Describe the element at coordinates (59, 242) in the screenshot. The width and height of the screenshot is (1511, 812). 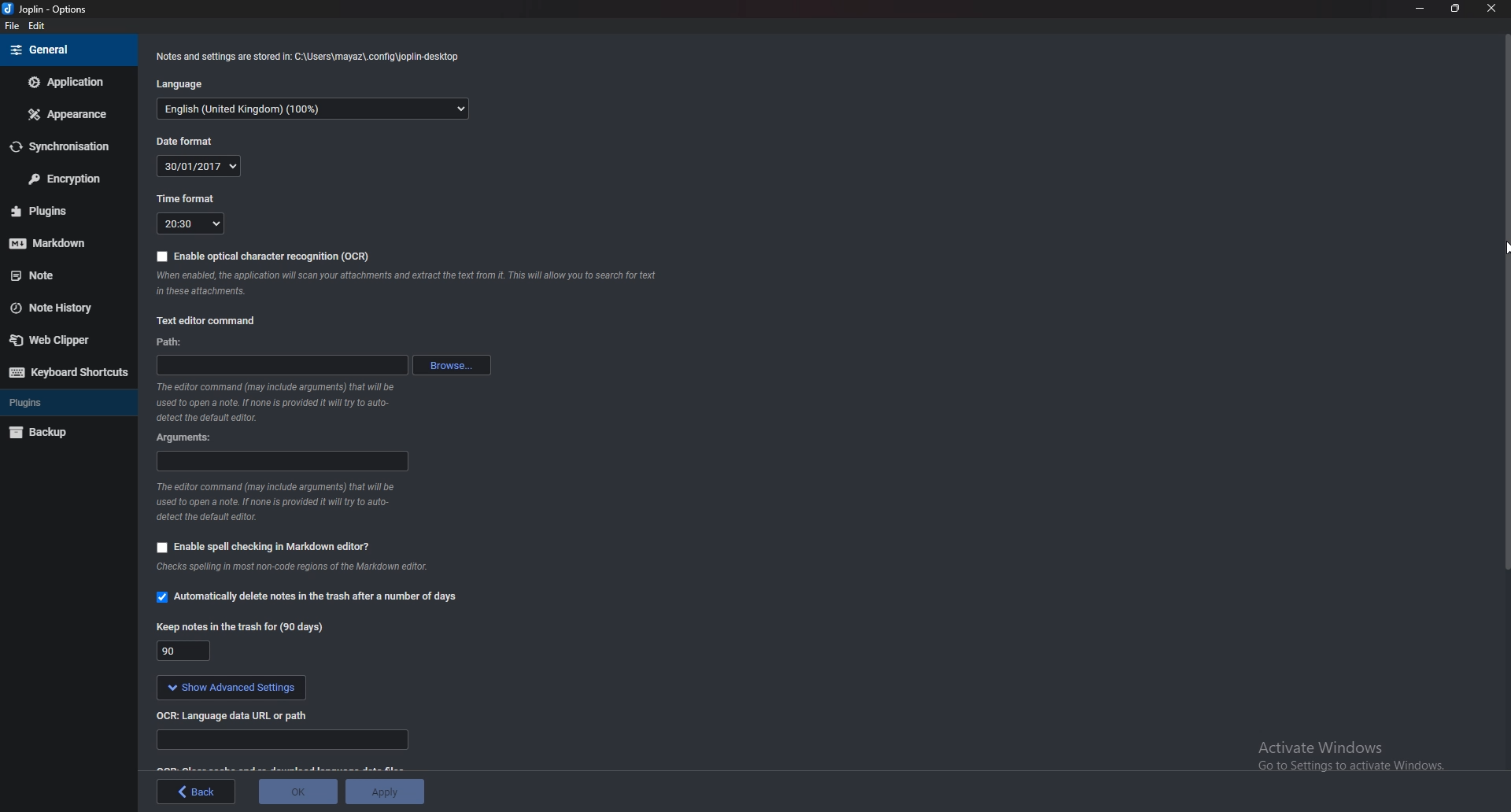
I see `Markdown` at that location.